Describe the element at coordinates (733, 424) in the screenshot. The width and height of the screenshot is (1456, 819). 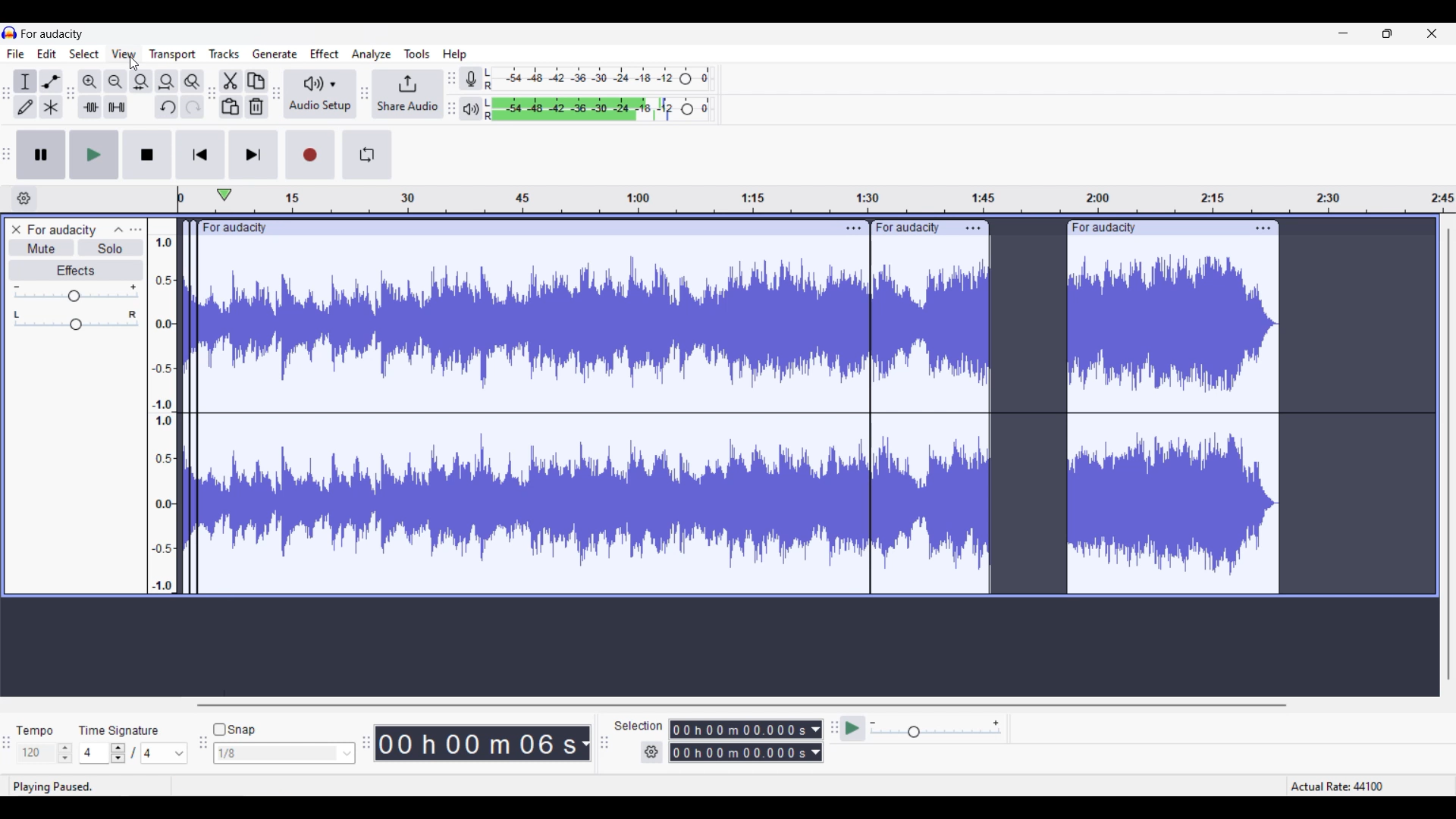
I see `track waveform` at that location.